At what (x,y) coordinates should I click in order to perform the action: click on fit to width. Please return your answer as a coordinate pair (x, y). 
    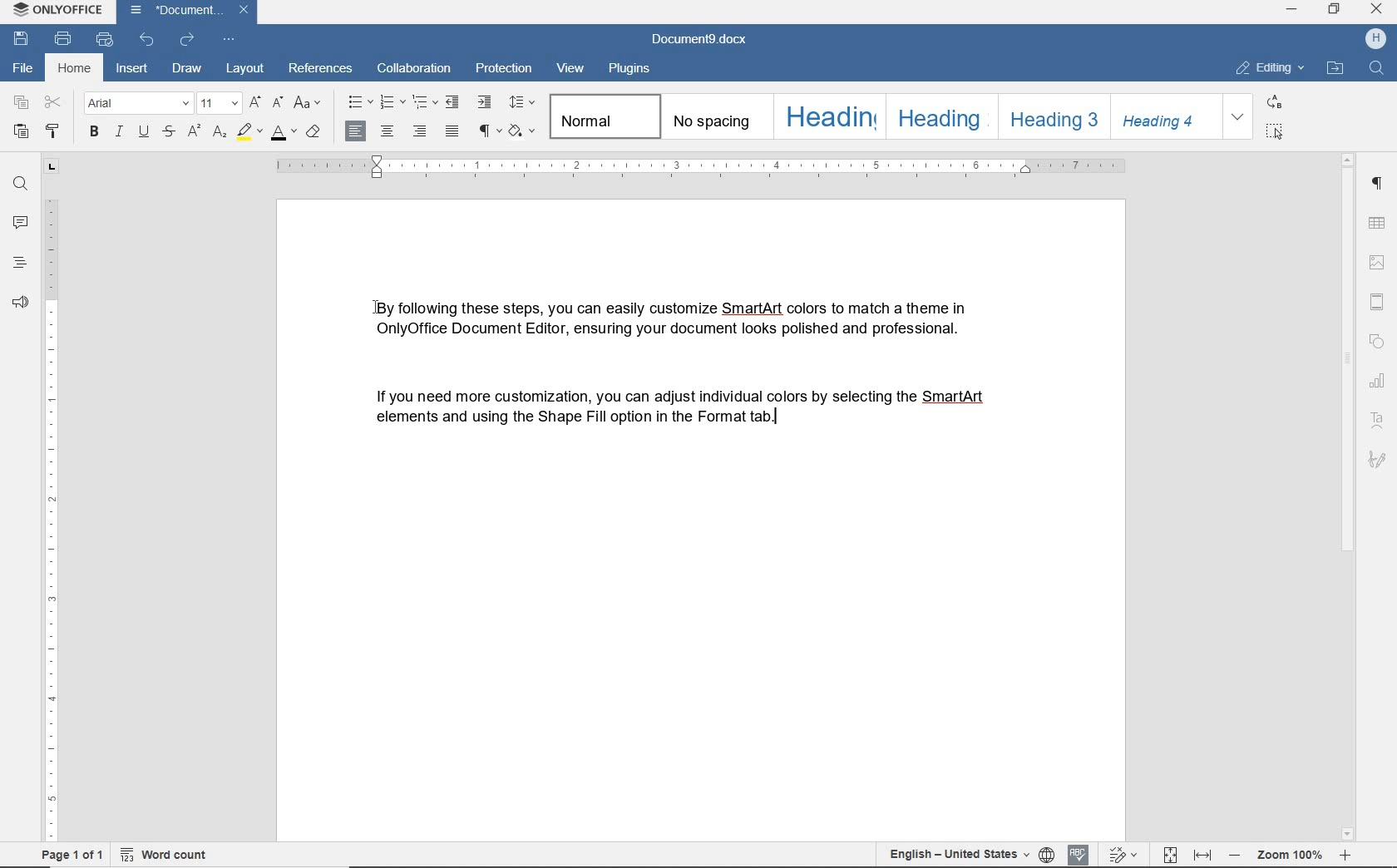
    Looking at the image, I should click on (1203, 856).